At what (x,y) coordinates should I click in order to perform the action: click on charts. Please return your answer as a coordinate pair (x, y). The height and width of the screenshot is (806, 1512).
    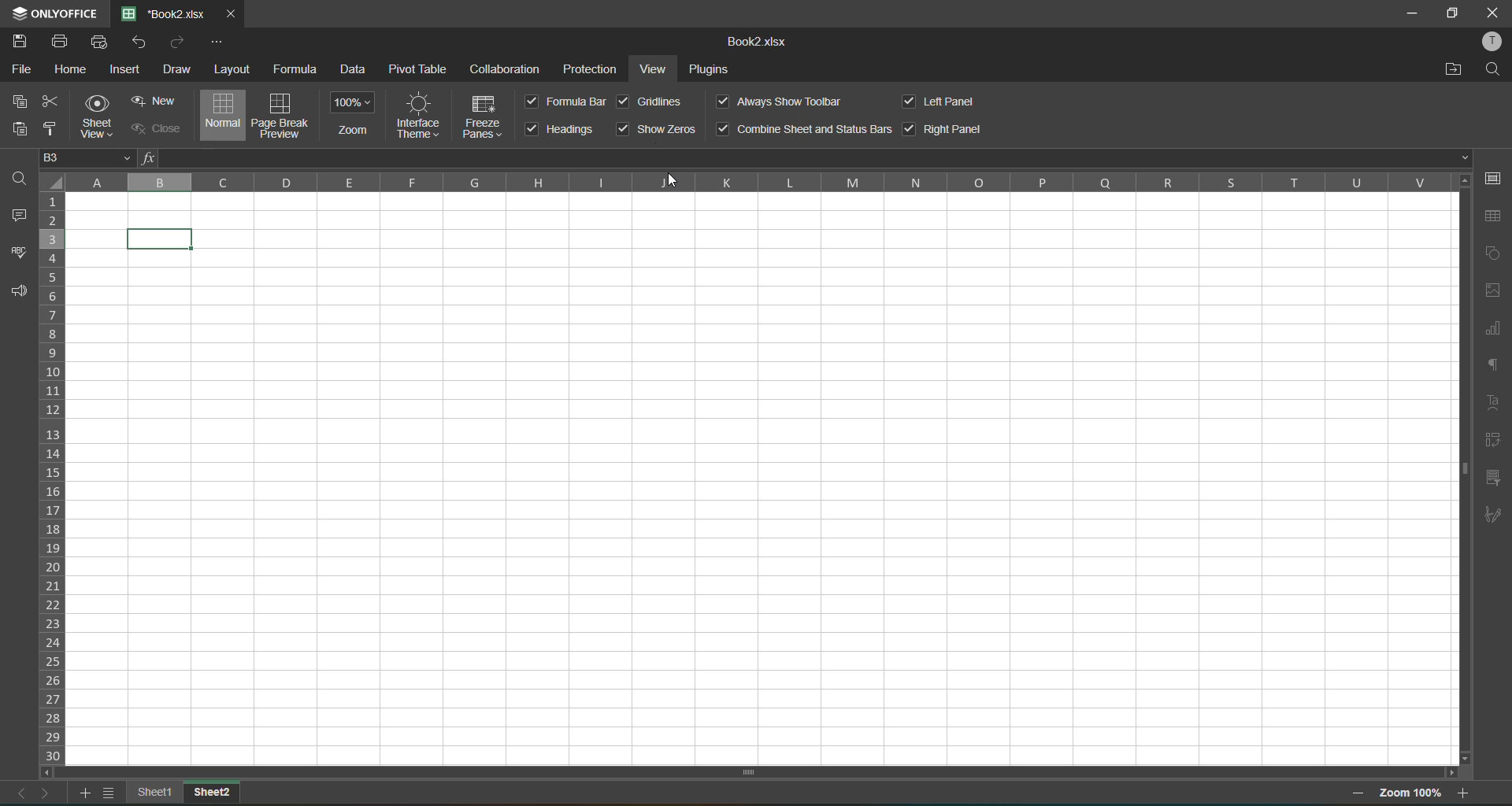
    Looking at the image, I should click on (1492, 331).